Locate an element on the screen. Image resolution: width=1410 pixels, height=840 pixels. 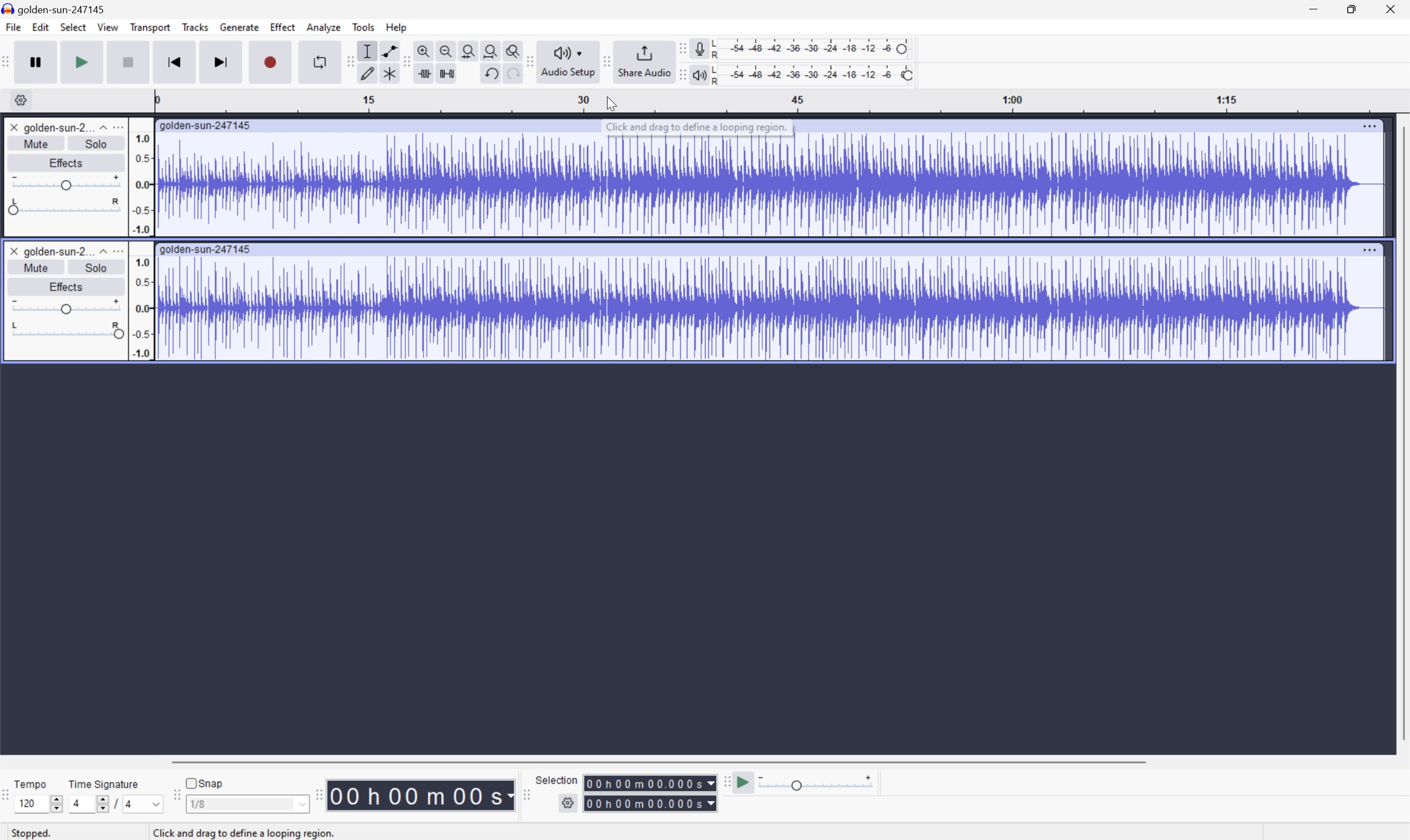
Click and drag to define a looping region is located at coordinates (699, 125).